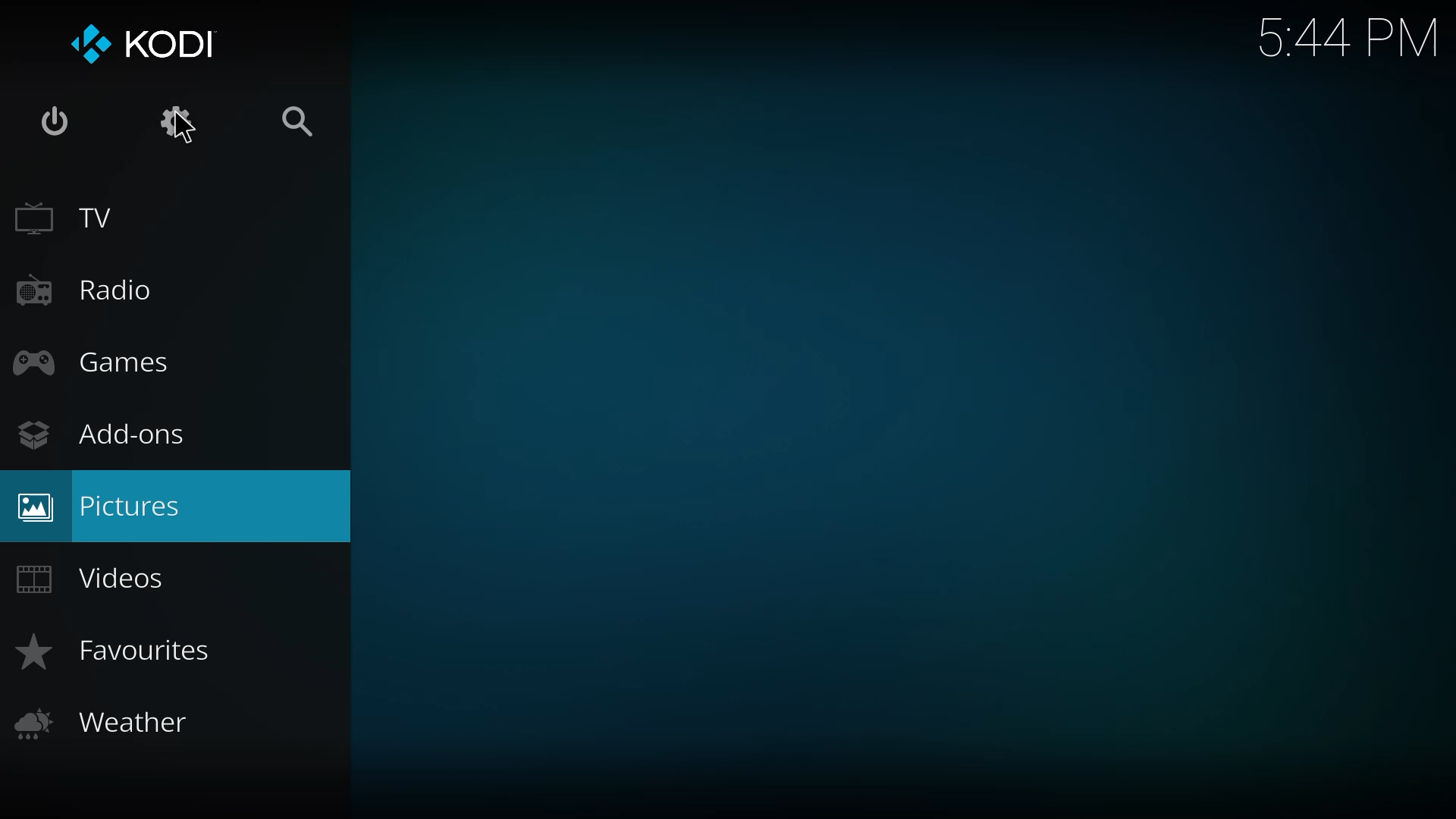  I want to click on kodi logo, so click(88, 47).